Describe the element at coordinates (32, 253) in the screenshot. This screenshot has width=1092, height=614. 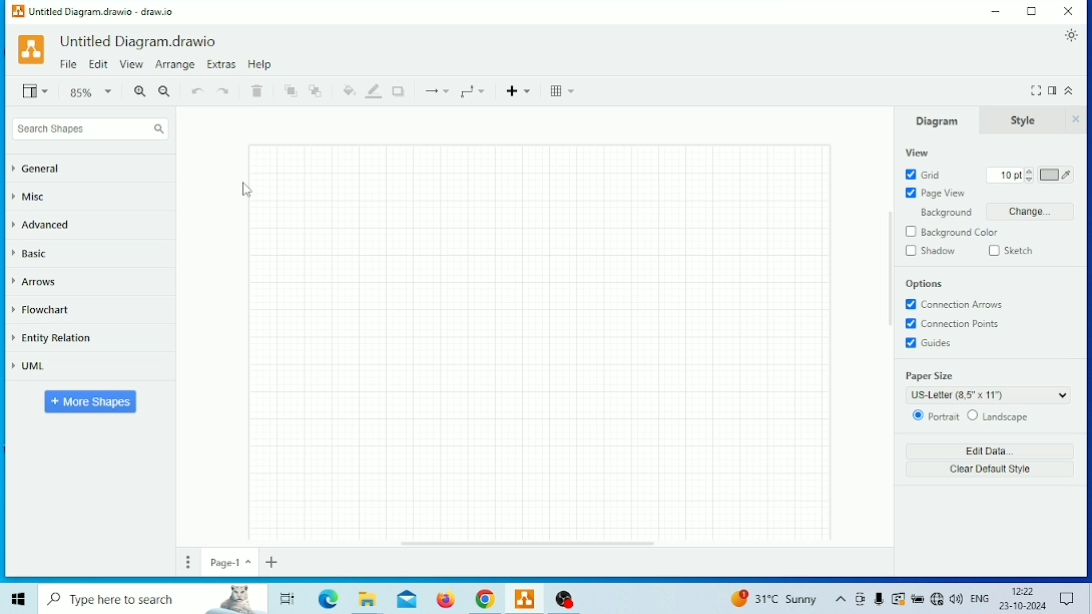
I see `Basic` at that location.